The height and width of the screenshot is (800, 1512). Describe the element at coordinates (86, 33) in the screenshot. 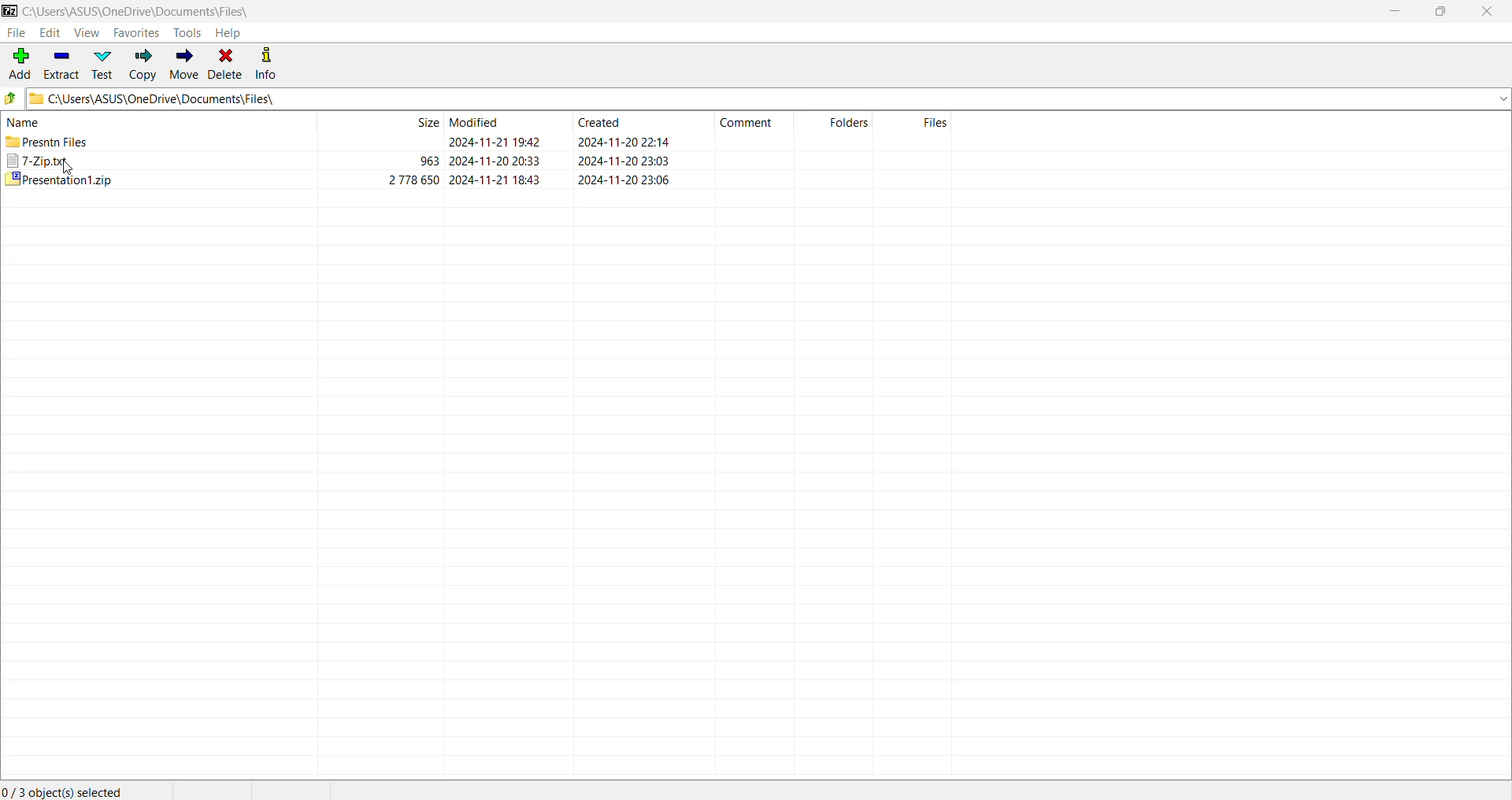

I see `View` at that location.